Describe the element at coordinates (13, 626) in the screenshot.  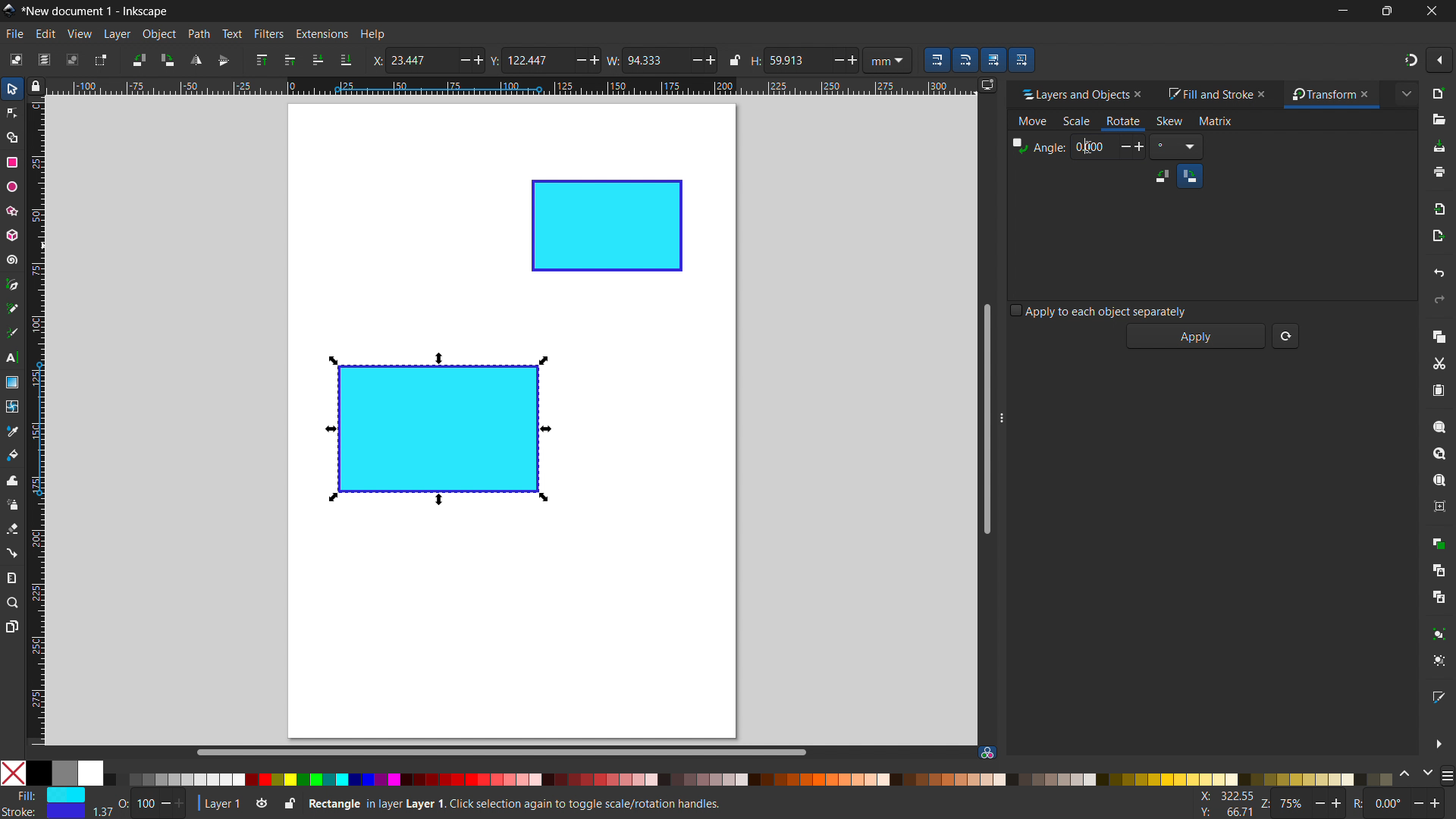
I see `pages tool` at that location.